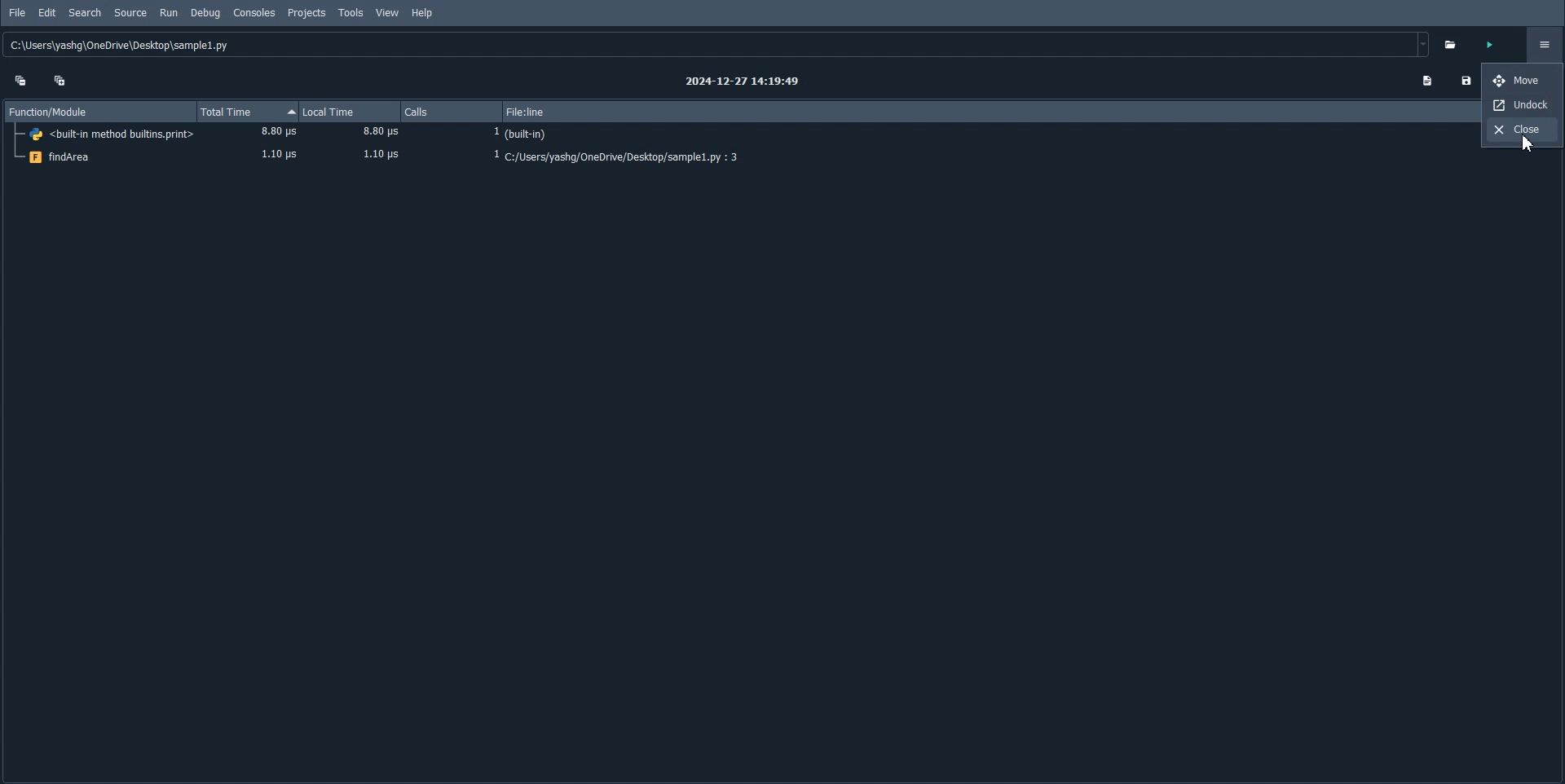  Describe the element at coordinates (1426, 81) in the screenshot. I see `Show programs output` at that location.